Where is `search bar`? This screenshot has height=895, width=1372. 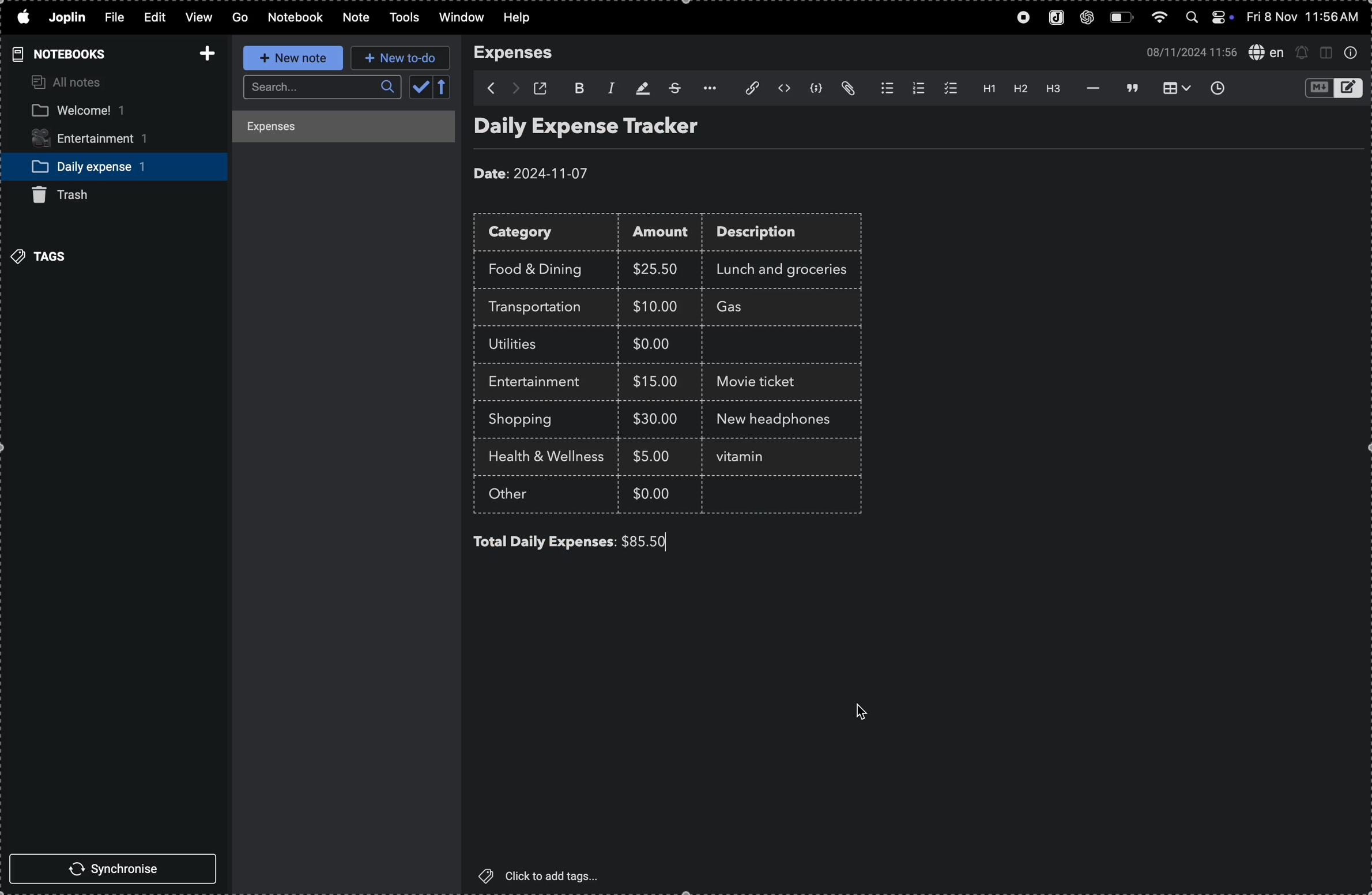
search bar is located at coordinates (319, 88).